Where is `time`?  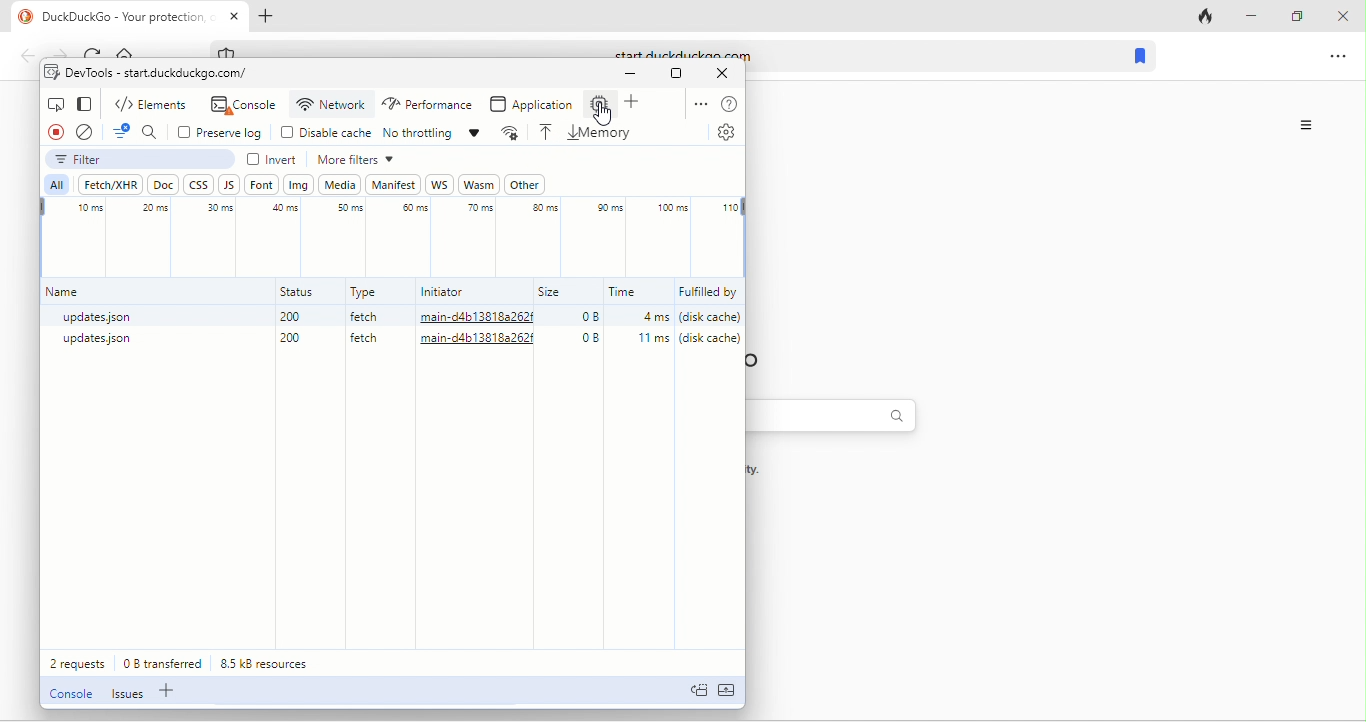 time is located at coordinates (638, 289).